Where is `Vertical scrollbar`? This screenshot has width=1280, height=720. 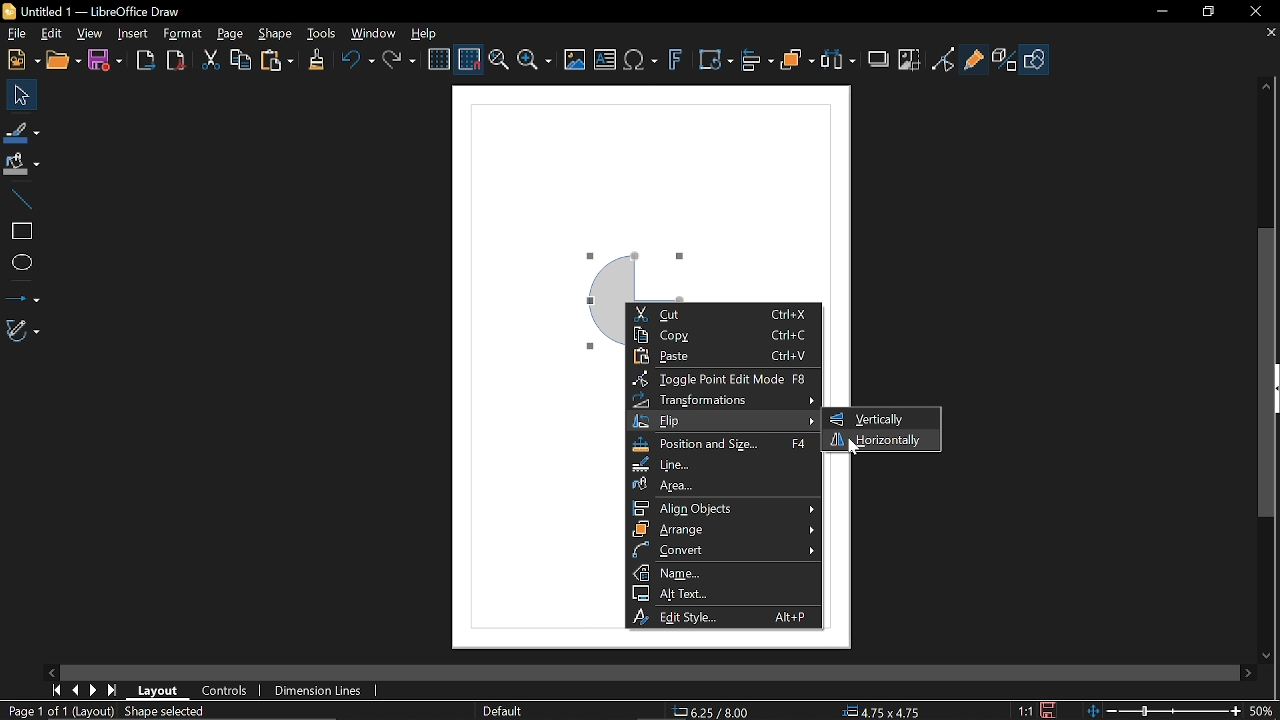
Vertical scrollbar is located at coordinates (1267, 371).